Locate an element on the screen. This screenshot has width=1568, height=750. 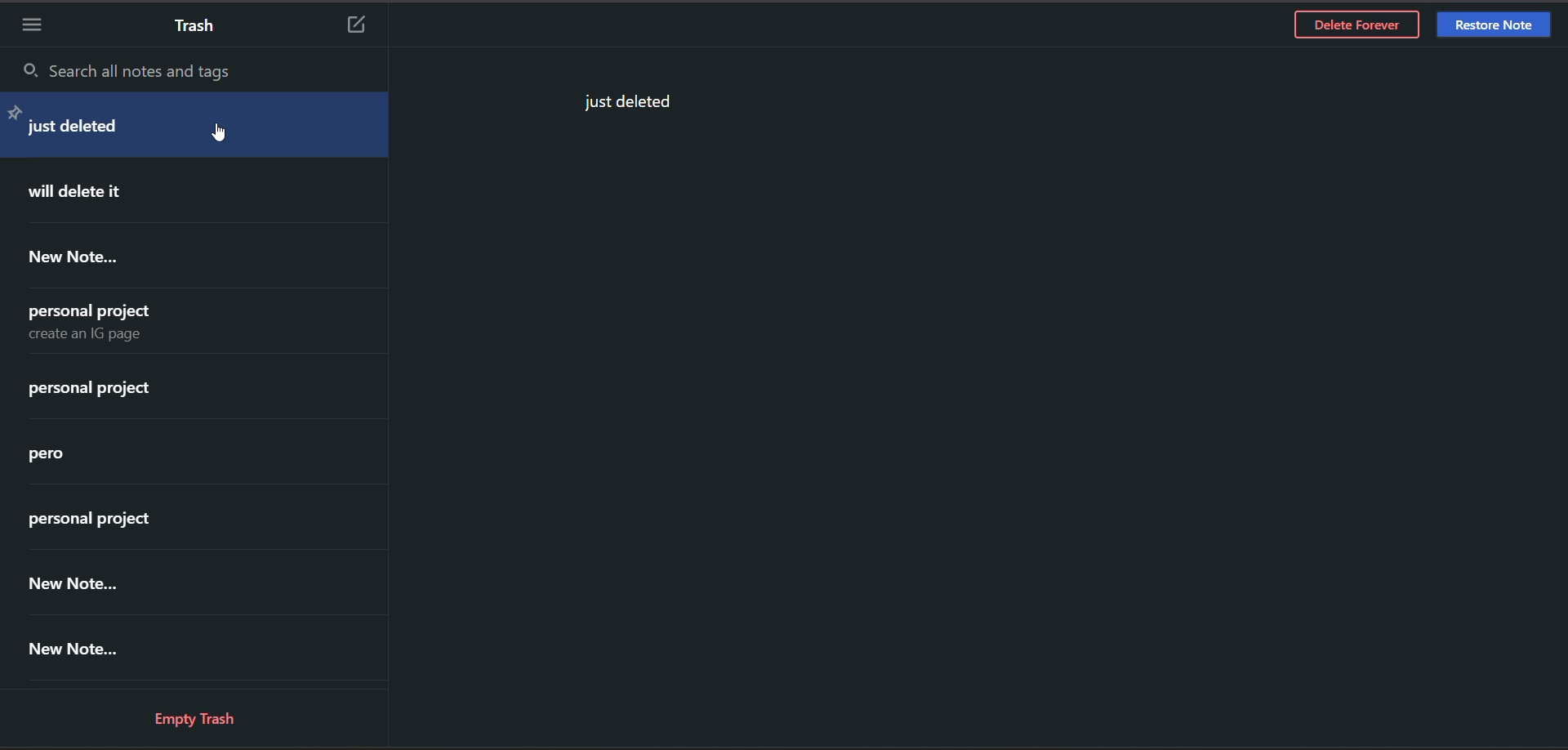
delete forever is located at coordinates (1356, 28).